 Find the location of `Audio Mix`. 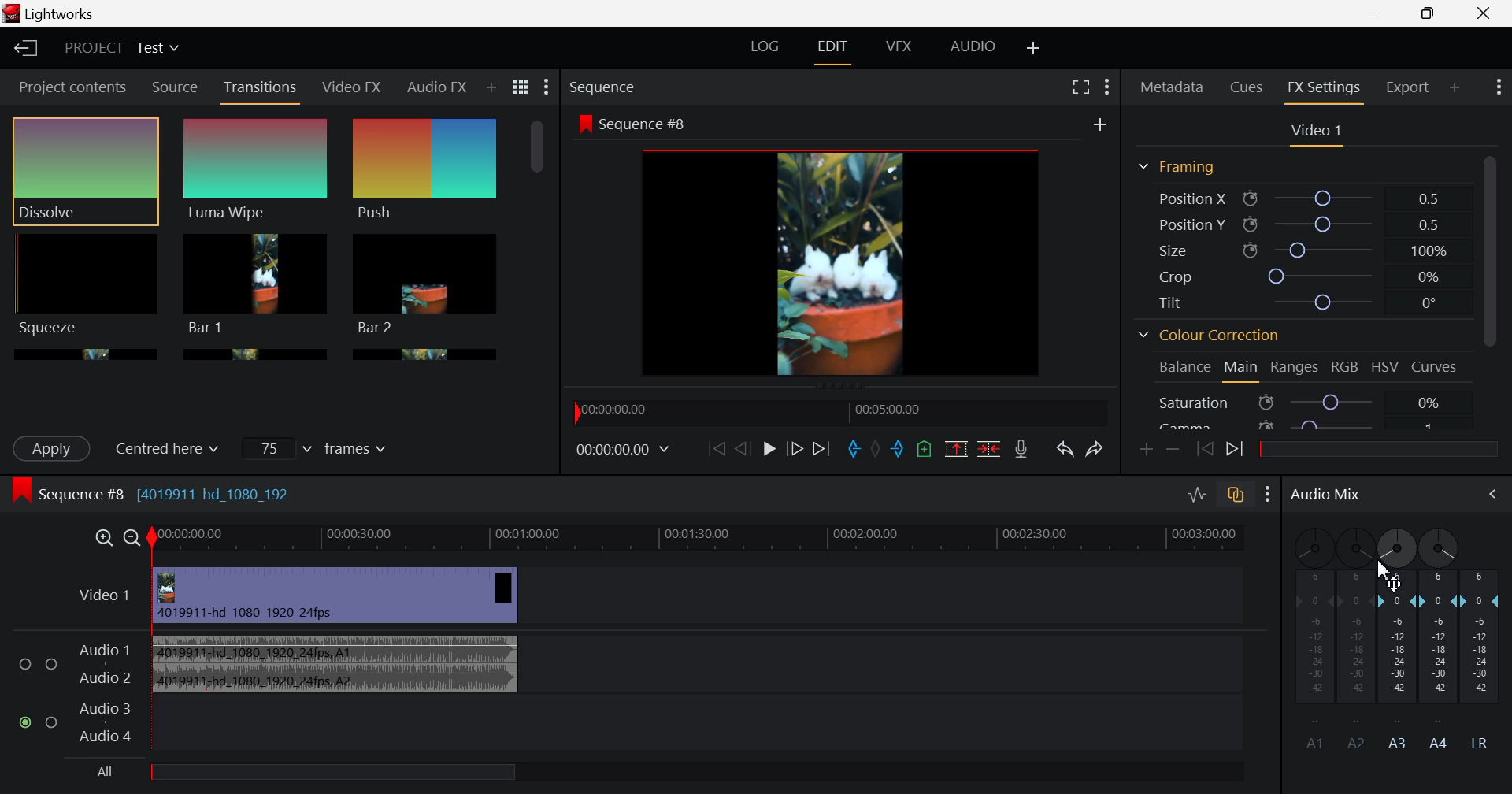

Audio Mix is located at coordinates (1324, 497).